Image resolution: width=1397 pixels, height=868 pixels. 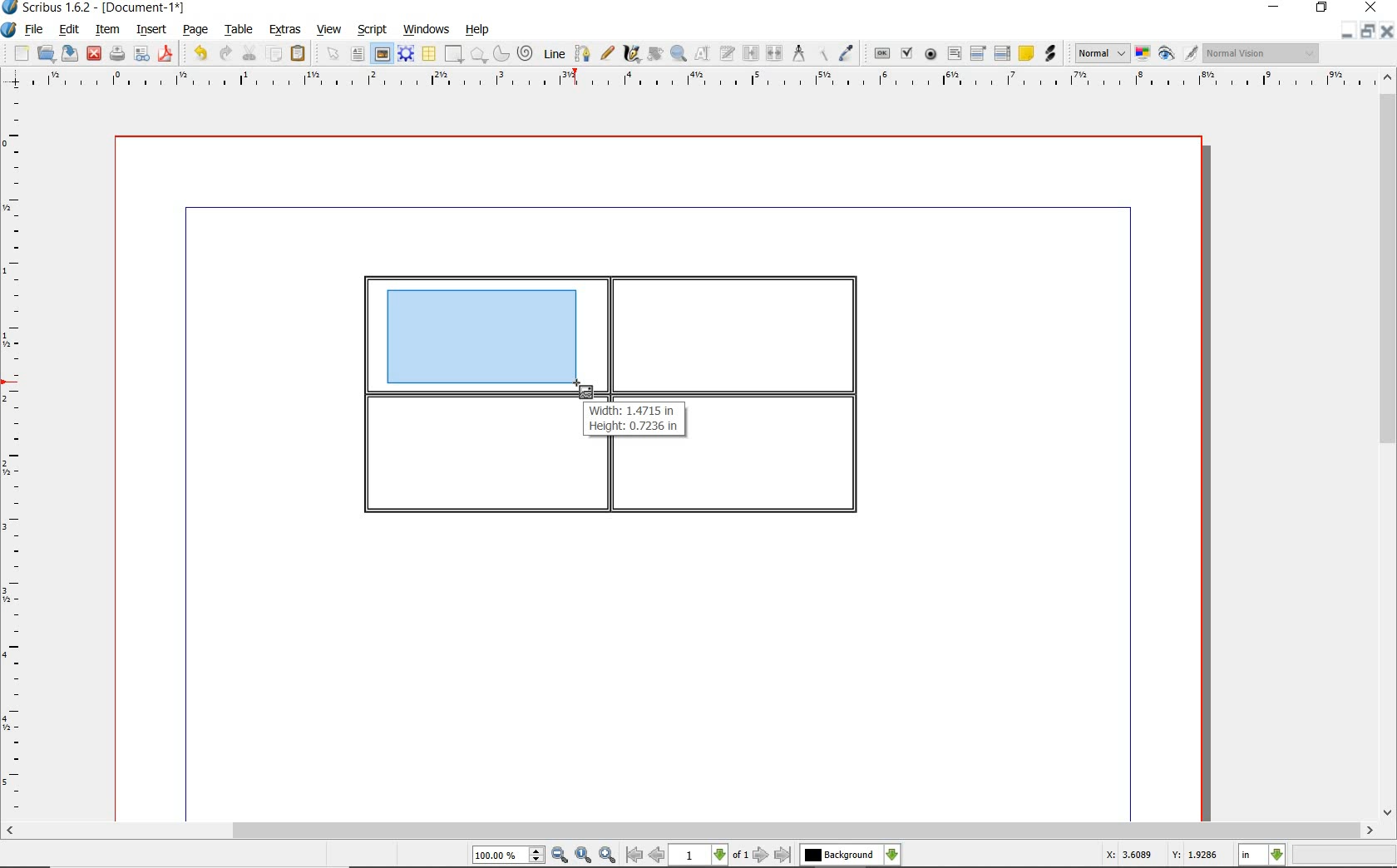 I want to click on bezier curve, so click(x=582, y=53).